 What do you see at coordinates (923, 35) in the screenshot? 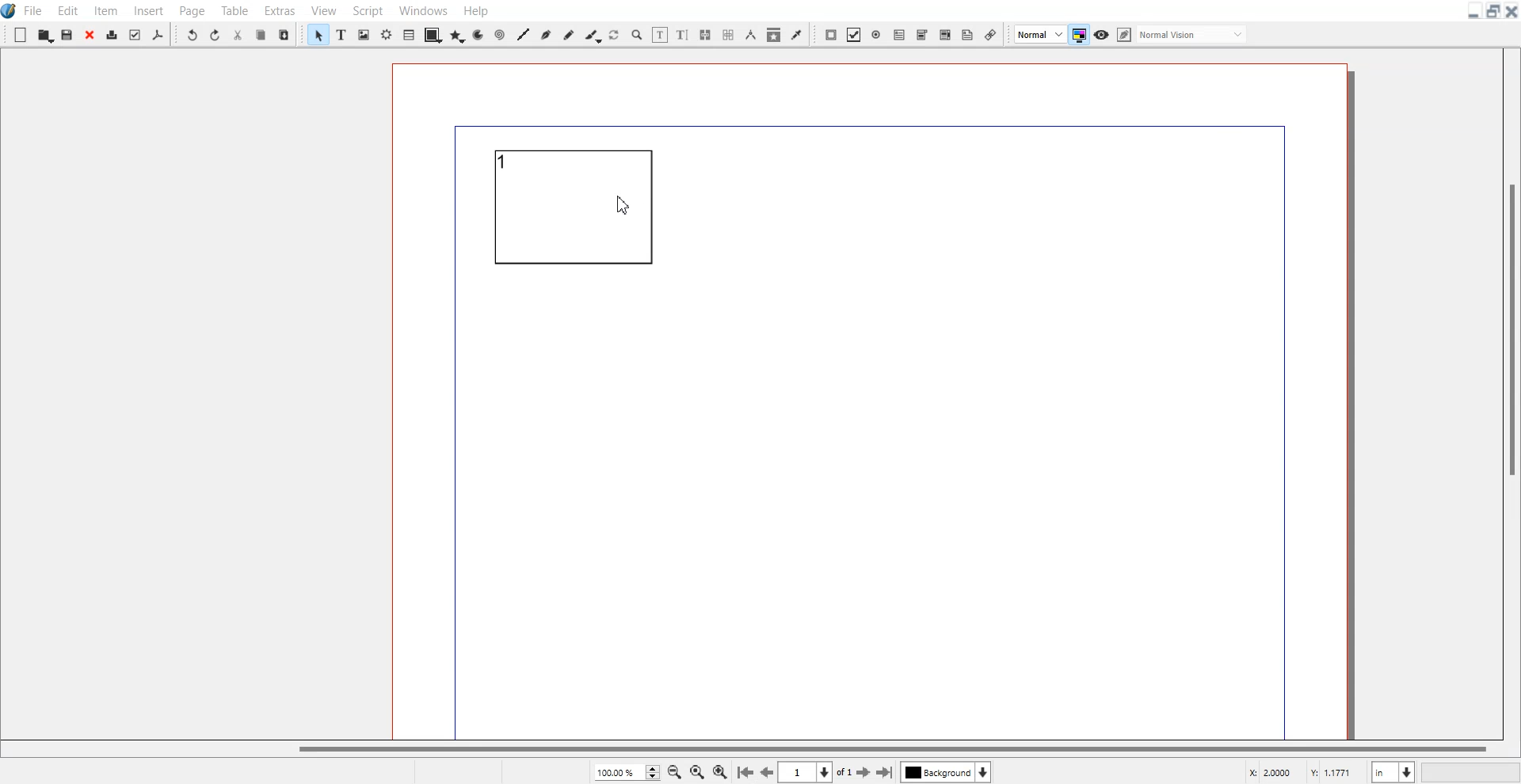
I see `PDF Combo Box` at bounding box center [923, 35].